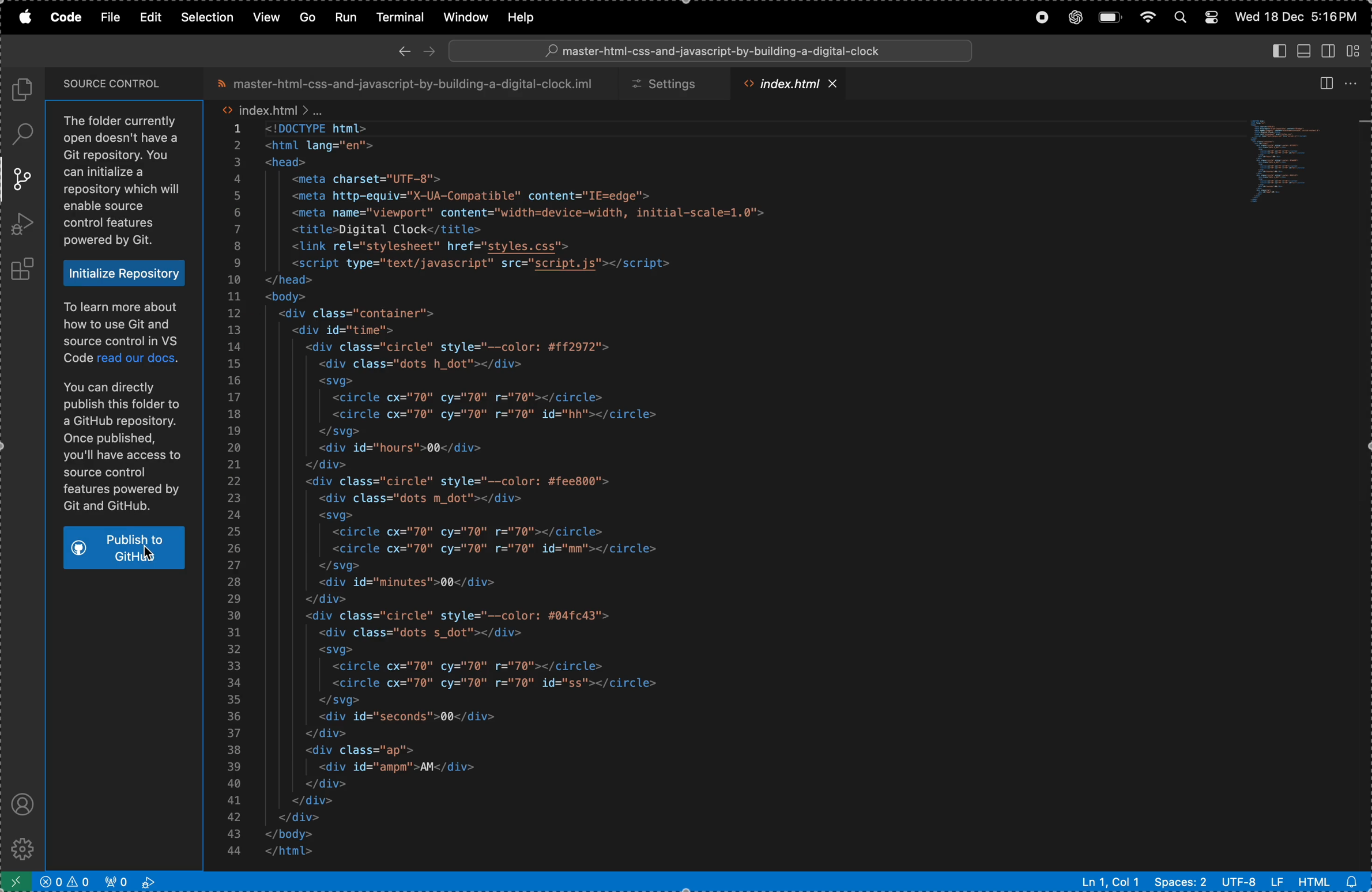 The image size is (1372, 892). Describe the element at coordinates (289, 298) in the screenshot. I see `<body>` at that location.